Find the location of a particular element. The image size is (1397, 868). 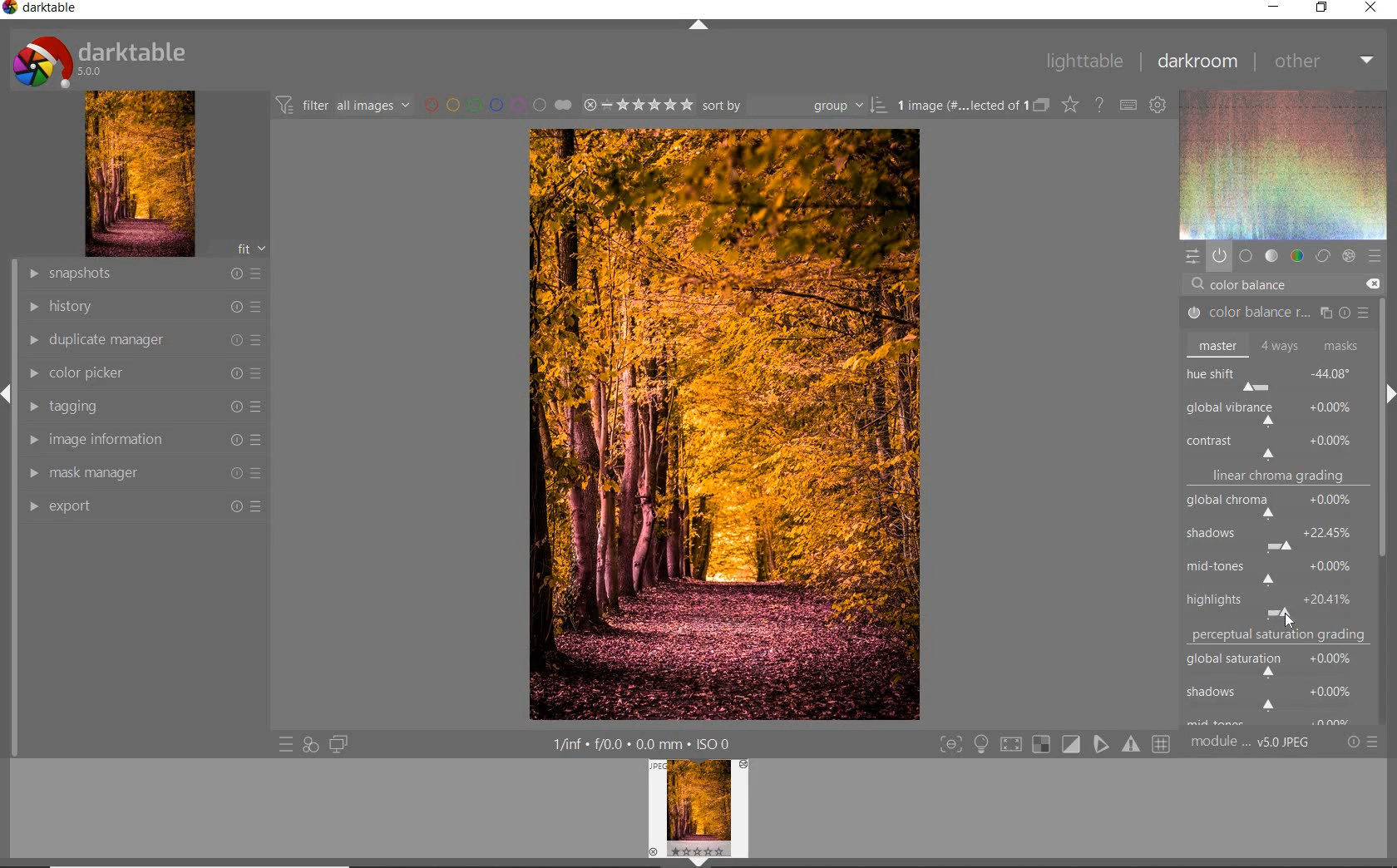

system logo or name is located at coordinates (106, 60).